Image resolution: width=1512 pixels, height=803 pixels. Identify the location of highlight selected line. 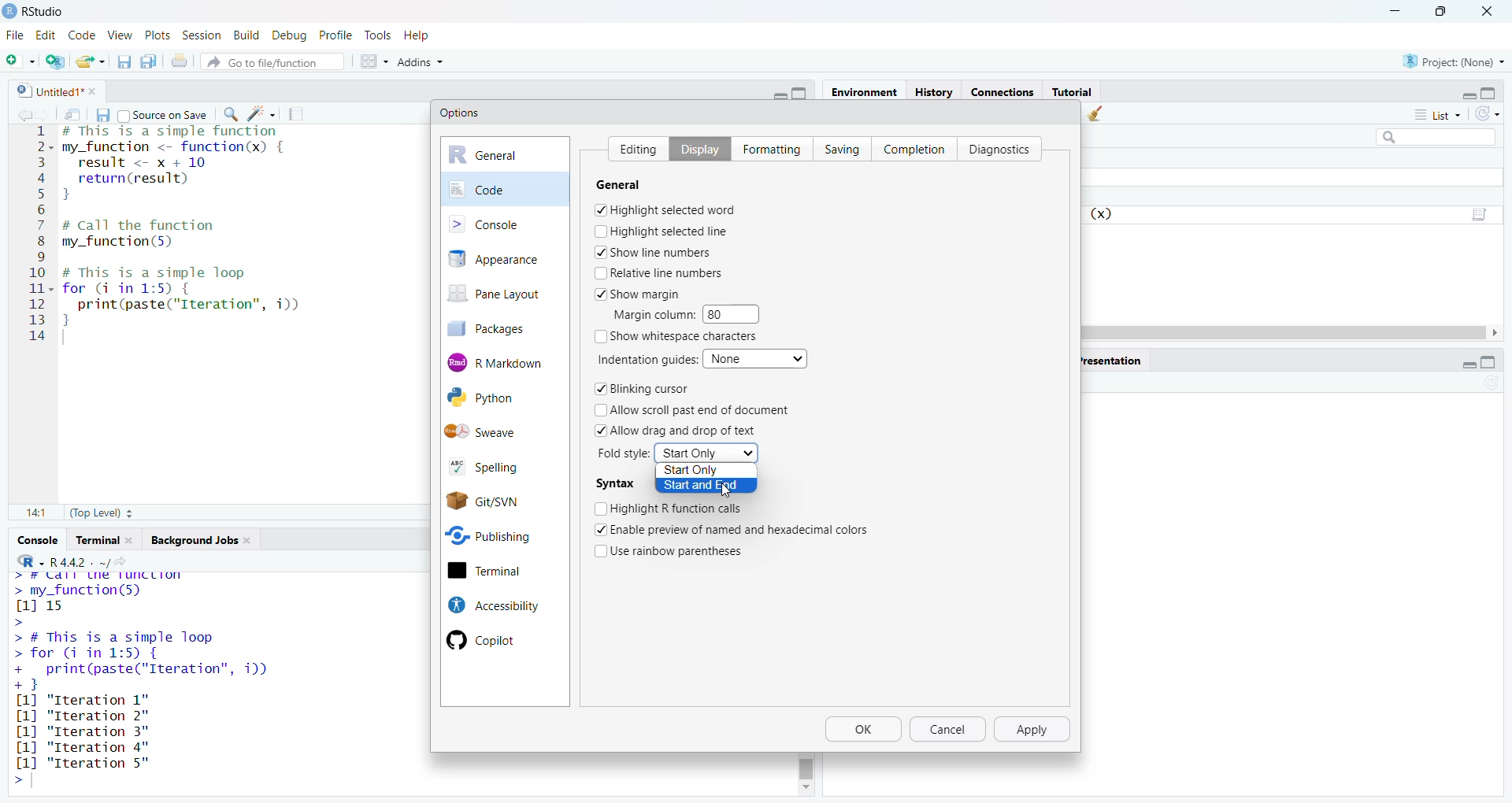
(661, 231).